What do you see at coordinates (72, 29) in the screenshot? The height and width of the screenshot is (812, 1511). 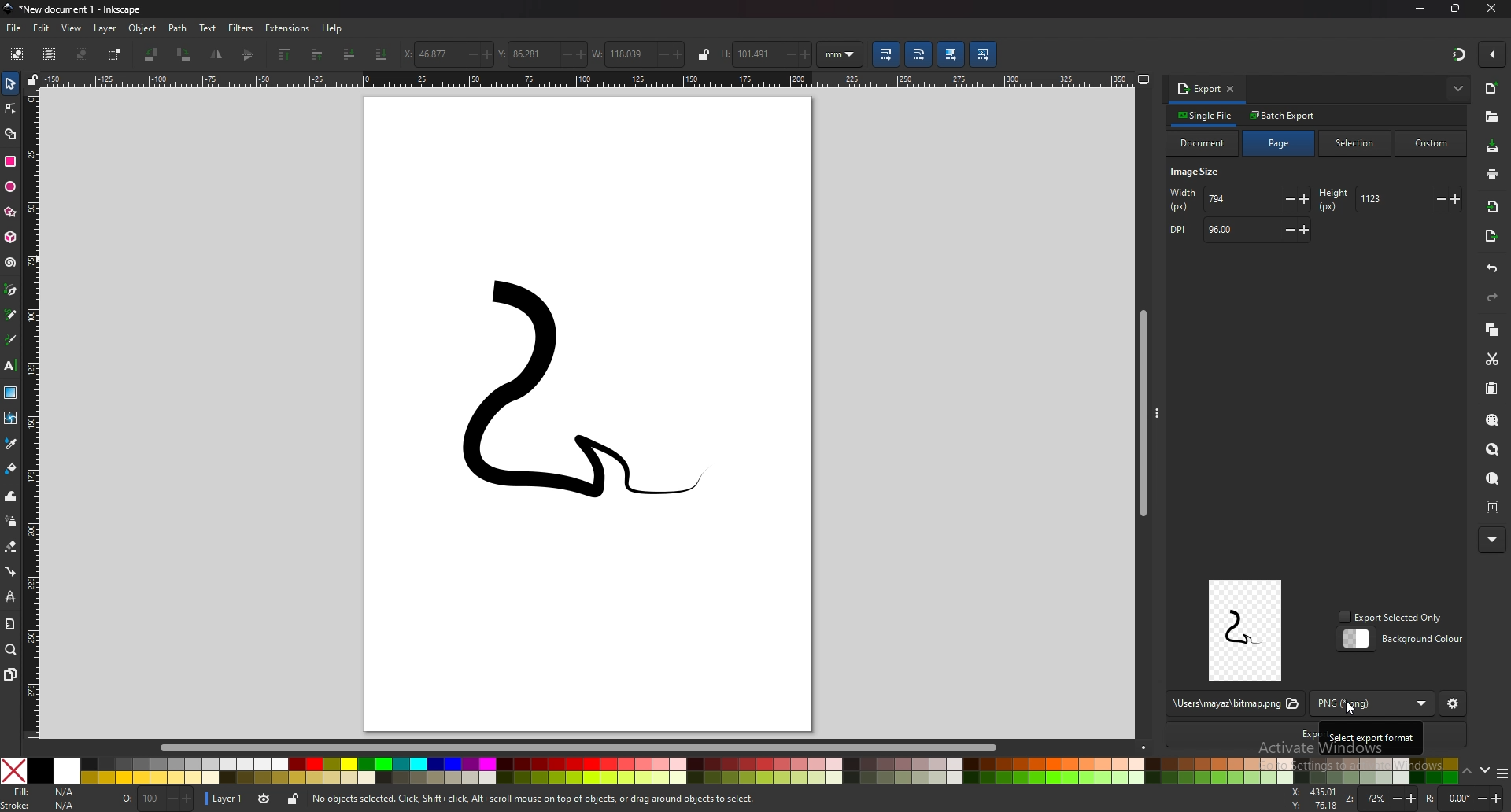 I see `view` at bounding box center [72, 29].